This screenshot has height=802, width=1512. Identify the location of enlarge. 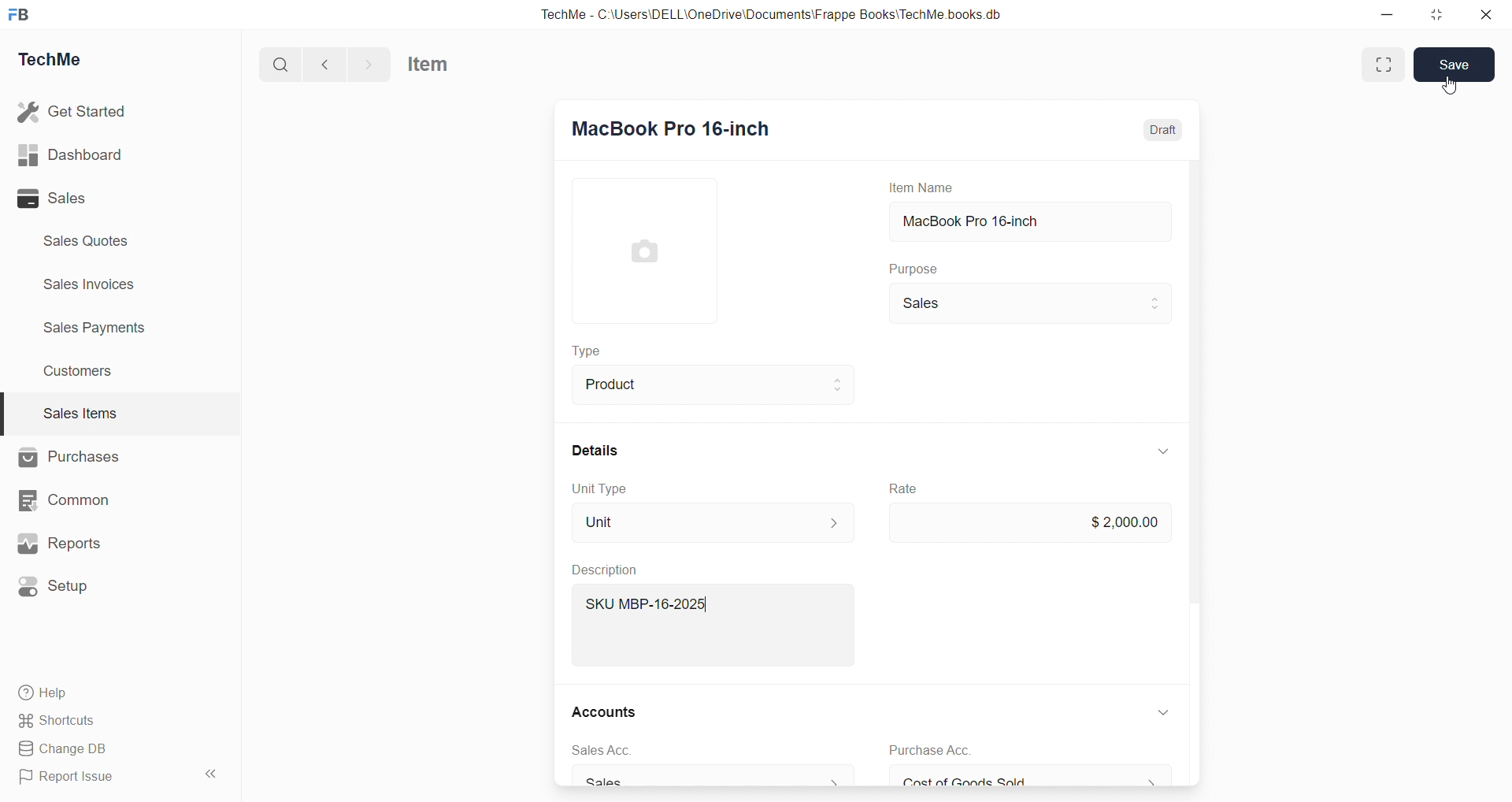
(1384, 65).